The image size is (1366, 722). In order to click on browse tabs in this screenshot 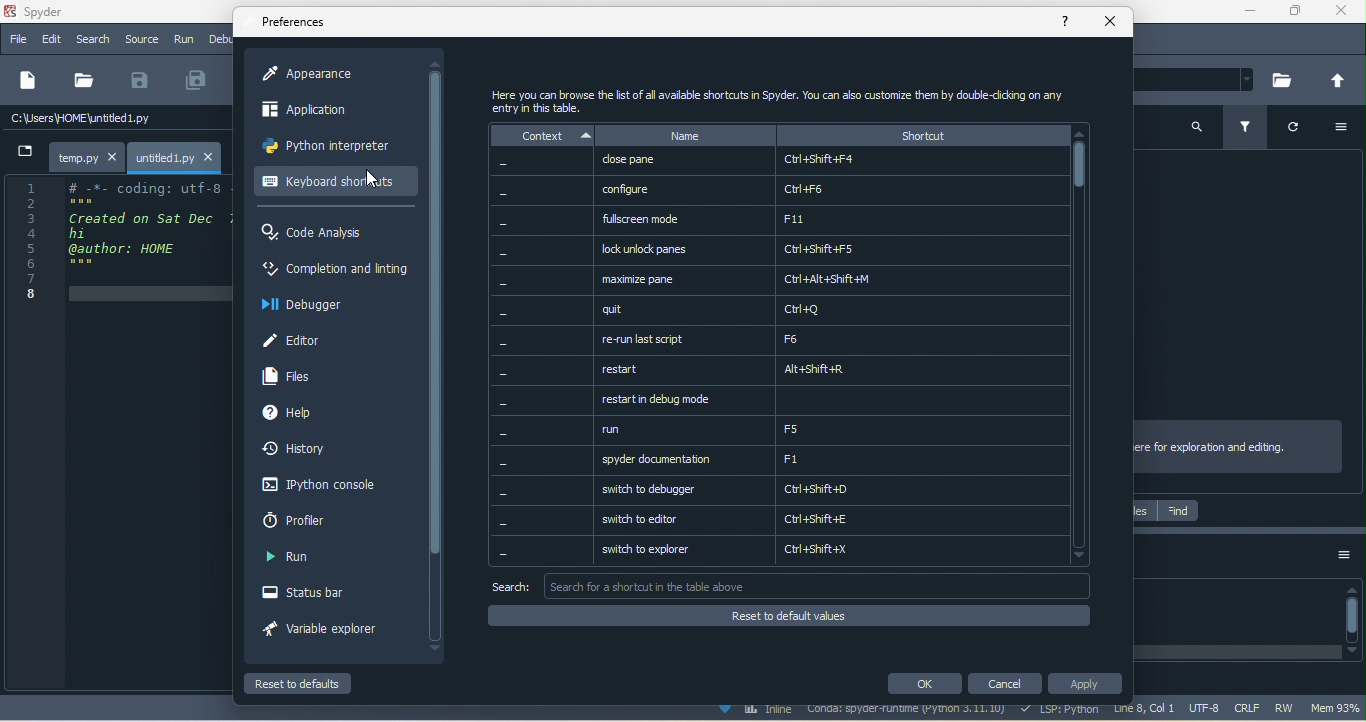, I will do `click(23, 151)`.